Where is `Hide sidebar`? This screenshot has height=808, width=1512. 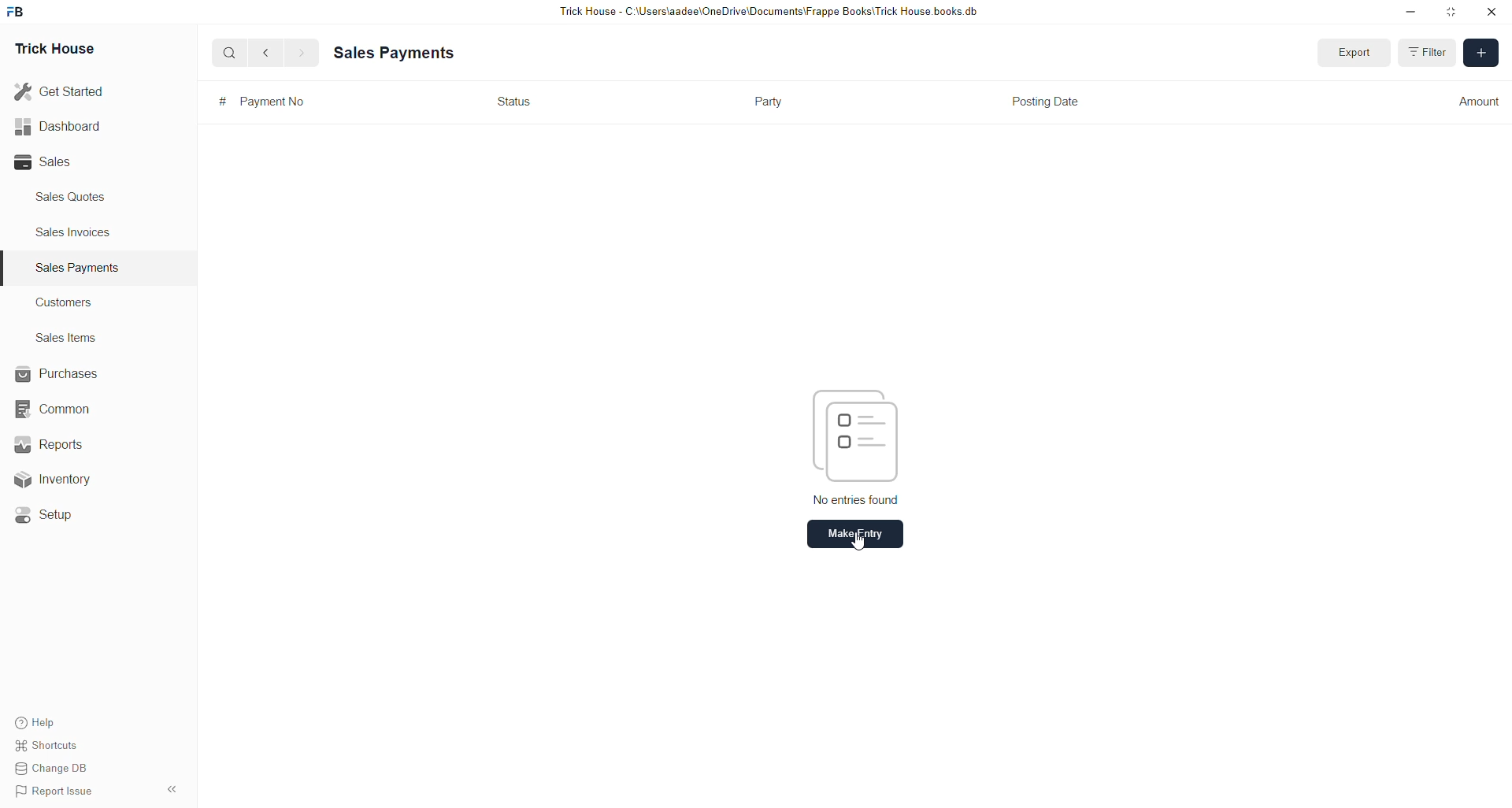
Hide sidebar is located at coordinates (172, 789).